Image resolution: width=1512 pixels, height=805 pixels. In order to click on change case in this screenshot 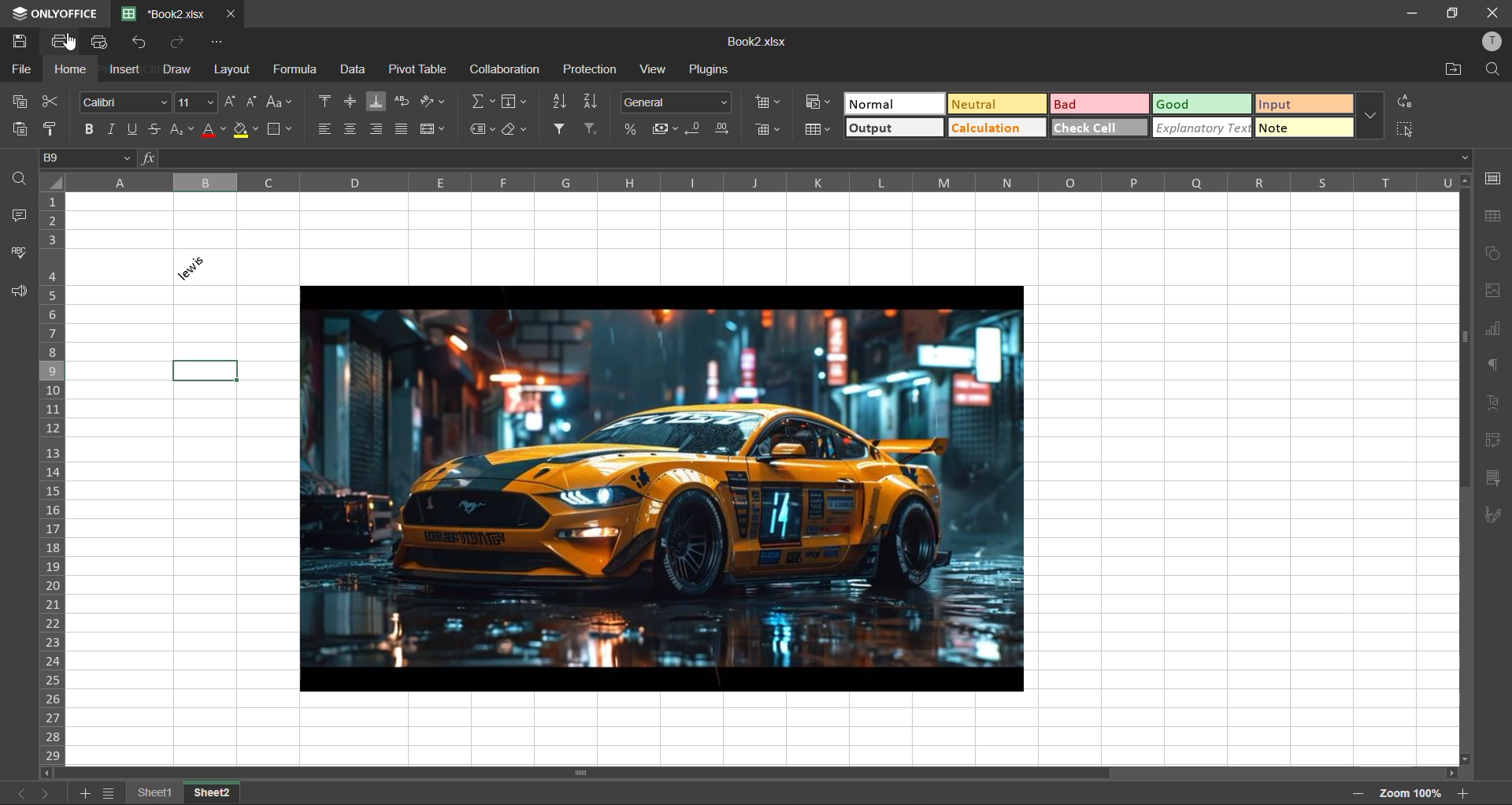, I will do `click(280, 102)`.